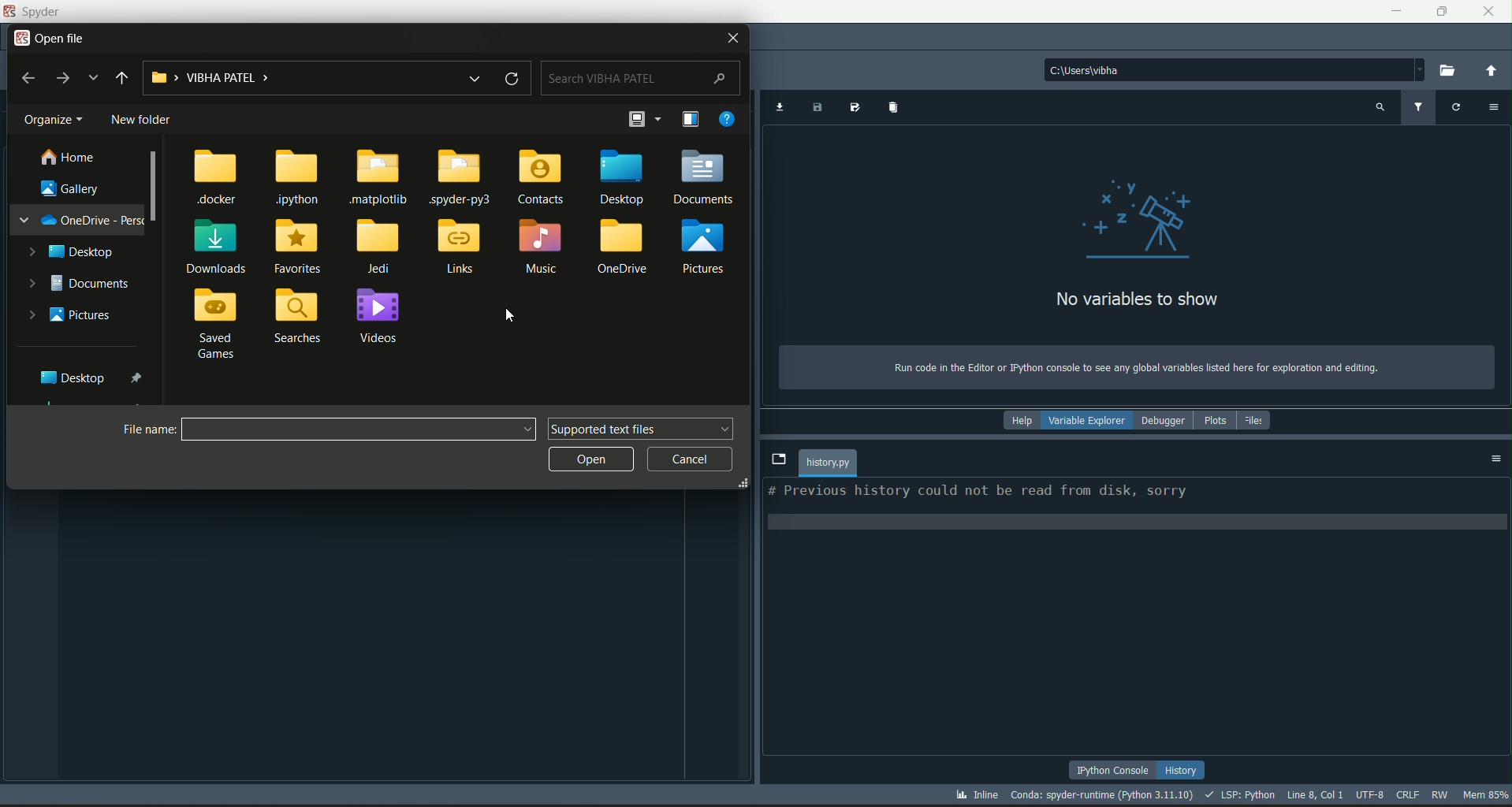 The width and height of the screenshot is (1512, 807). What do you see at coordinates (94, 377) in the screenshot?
I see `desktop` at bounding box center [94, 377].